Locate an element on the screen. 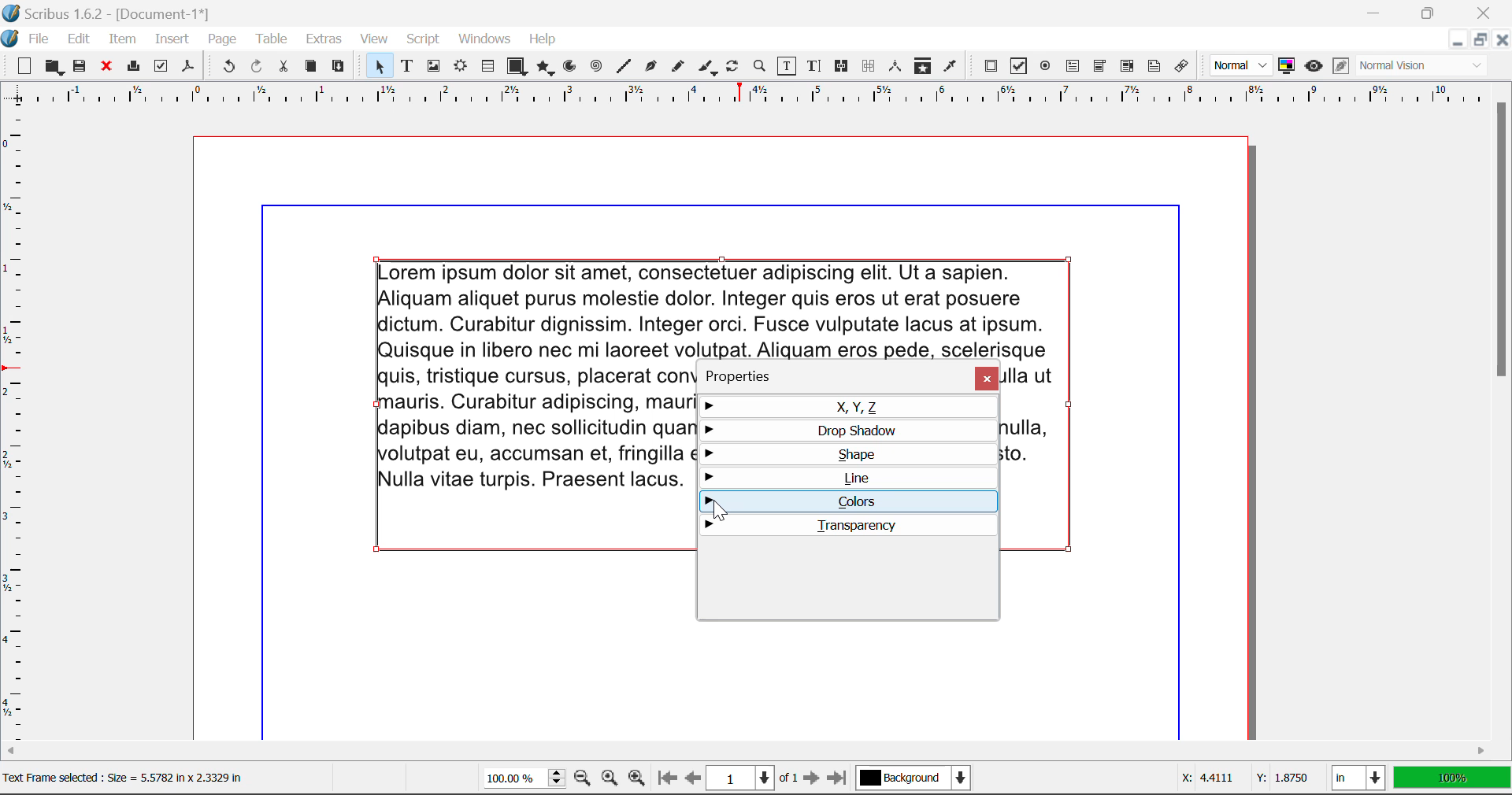  Shapes is located at coordinates (517, 68).